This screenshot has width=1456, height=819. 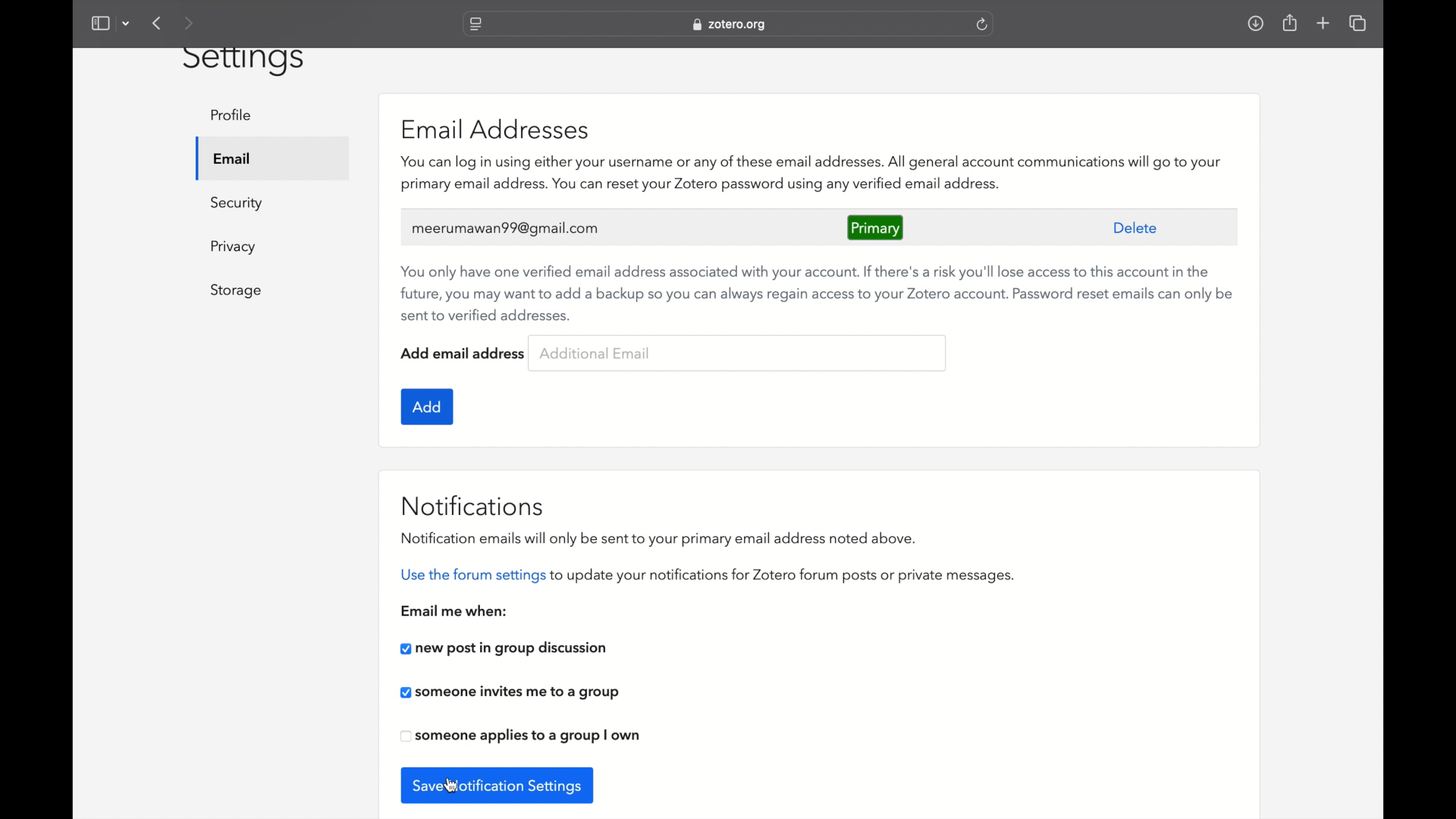 What do you see at coordinates (1323, 23) in the screenshot?
I see `new tab` at bounding box center [1323, 23].